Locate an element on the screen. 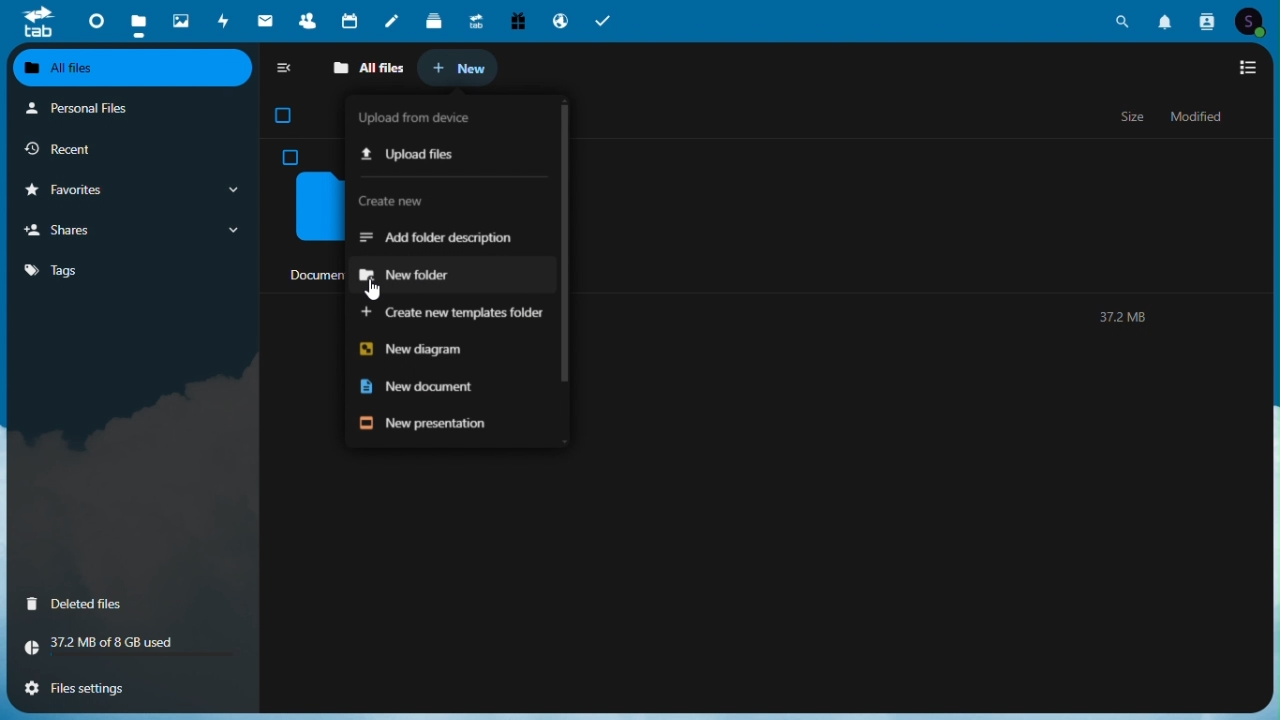  All files is located at coordinates (364, 66).